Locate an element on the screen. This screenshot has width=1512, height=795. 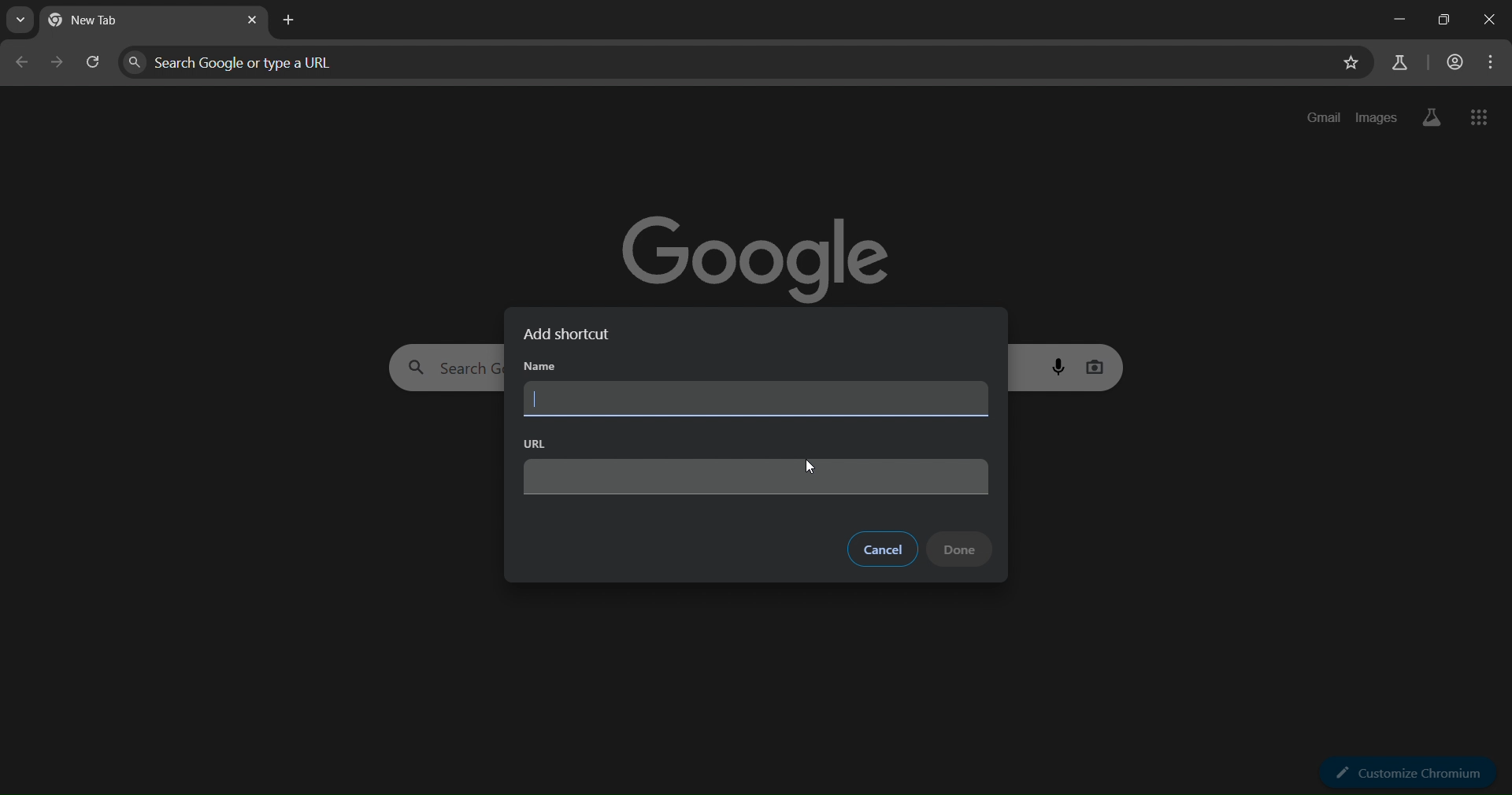
search labs is located at coordinates (1398, 62).